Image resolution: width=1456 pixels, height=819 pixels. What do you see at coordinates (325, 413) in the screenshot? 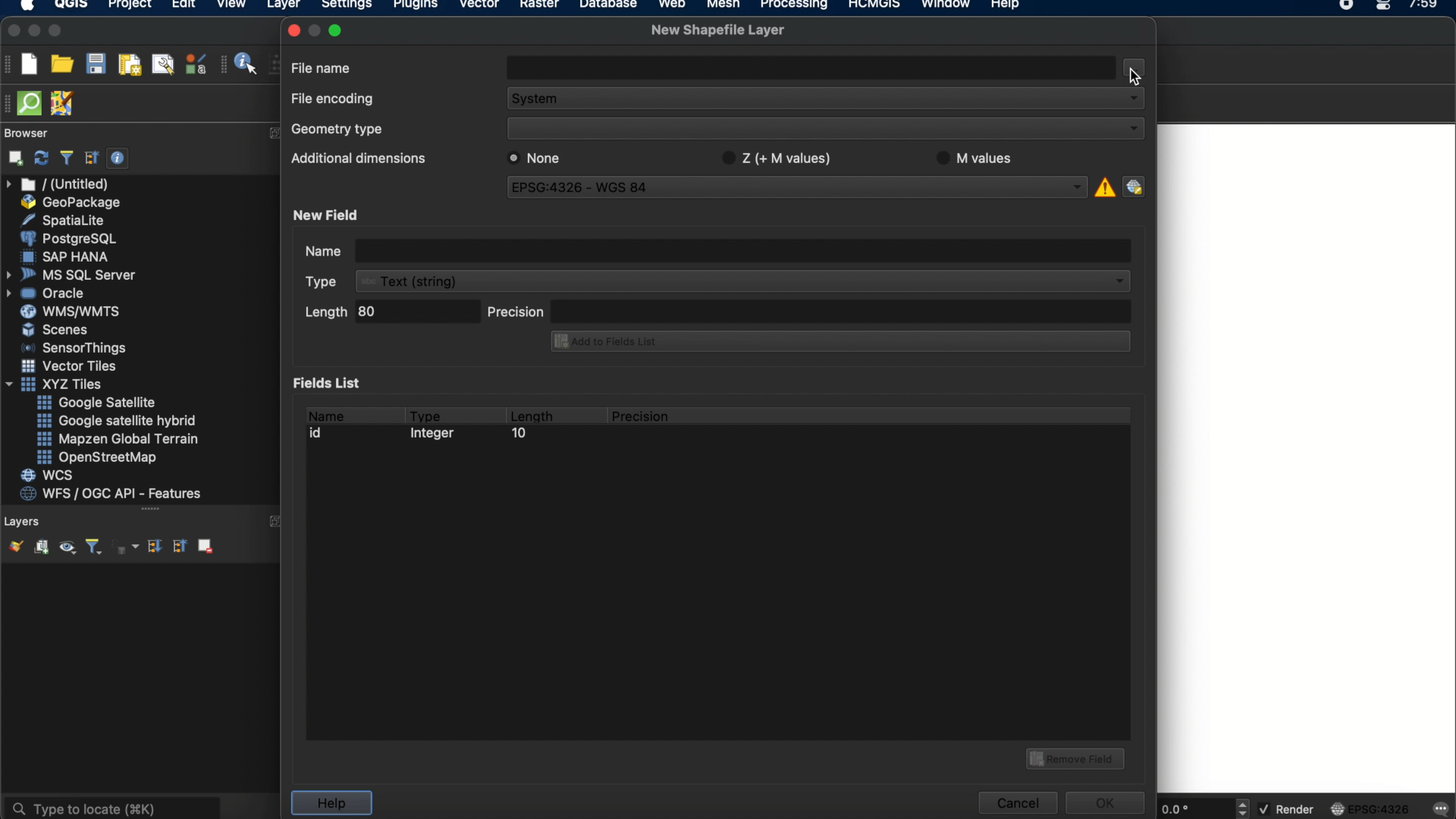
I see `name` at bounding box center [325, 413].